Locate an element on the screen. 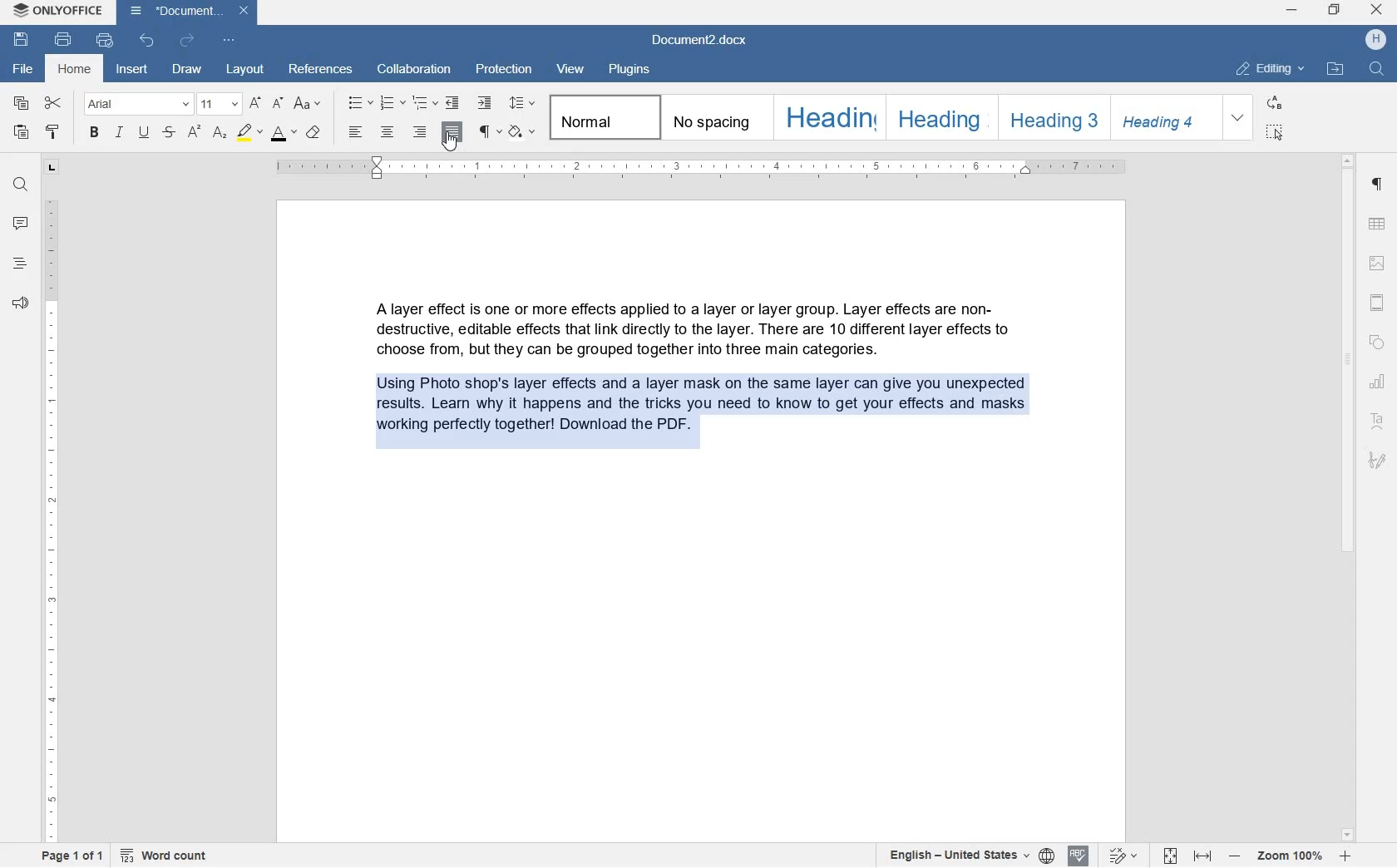  HEADERS & FOOTERS is located at coordinates (1378, 305).